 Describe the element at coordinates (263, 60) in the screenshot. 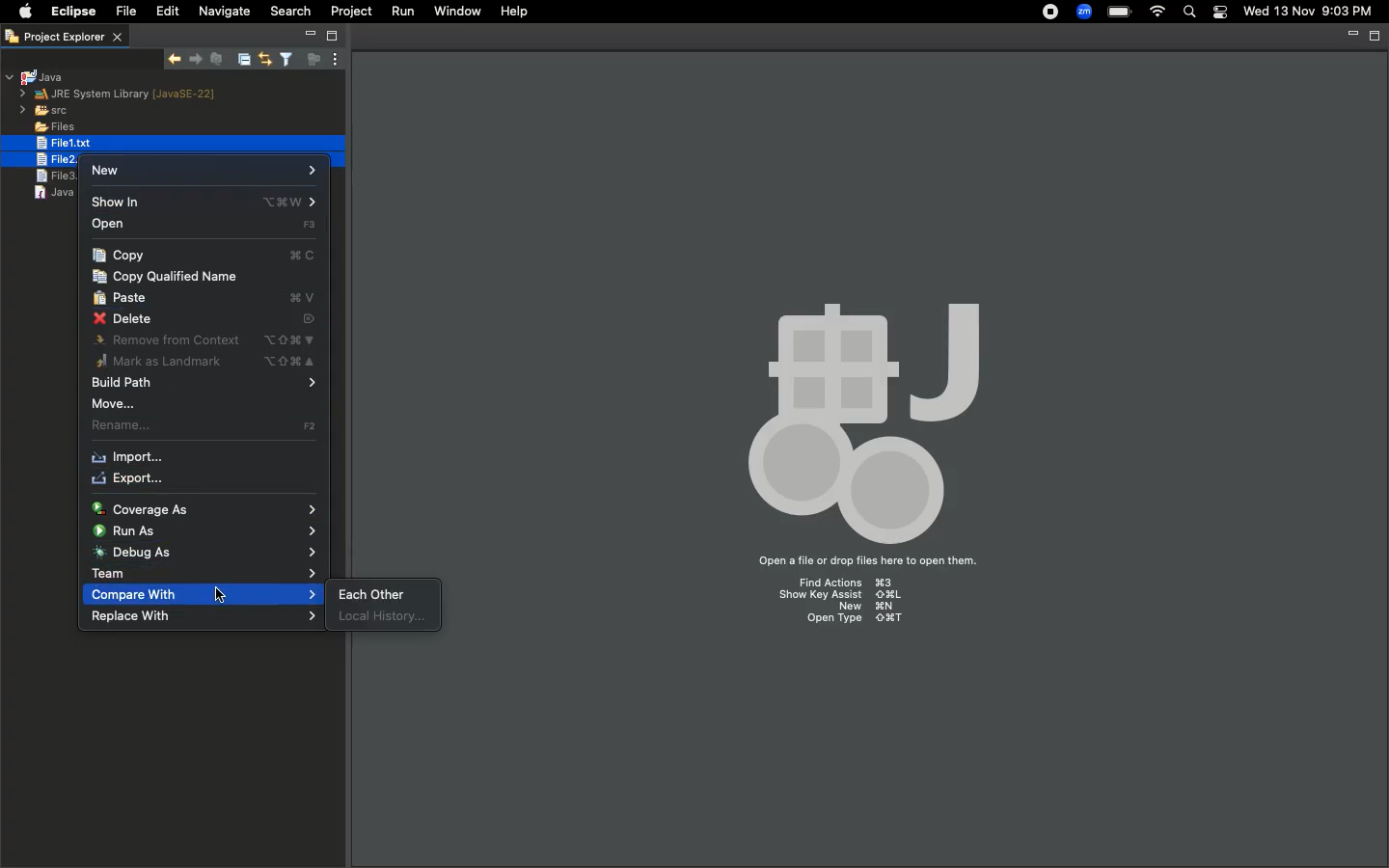

I see `Link with editor` at that location.